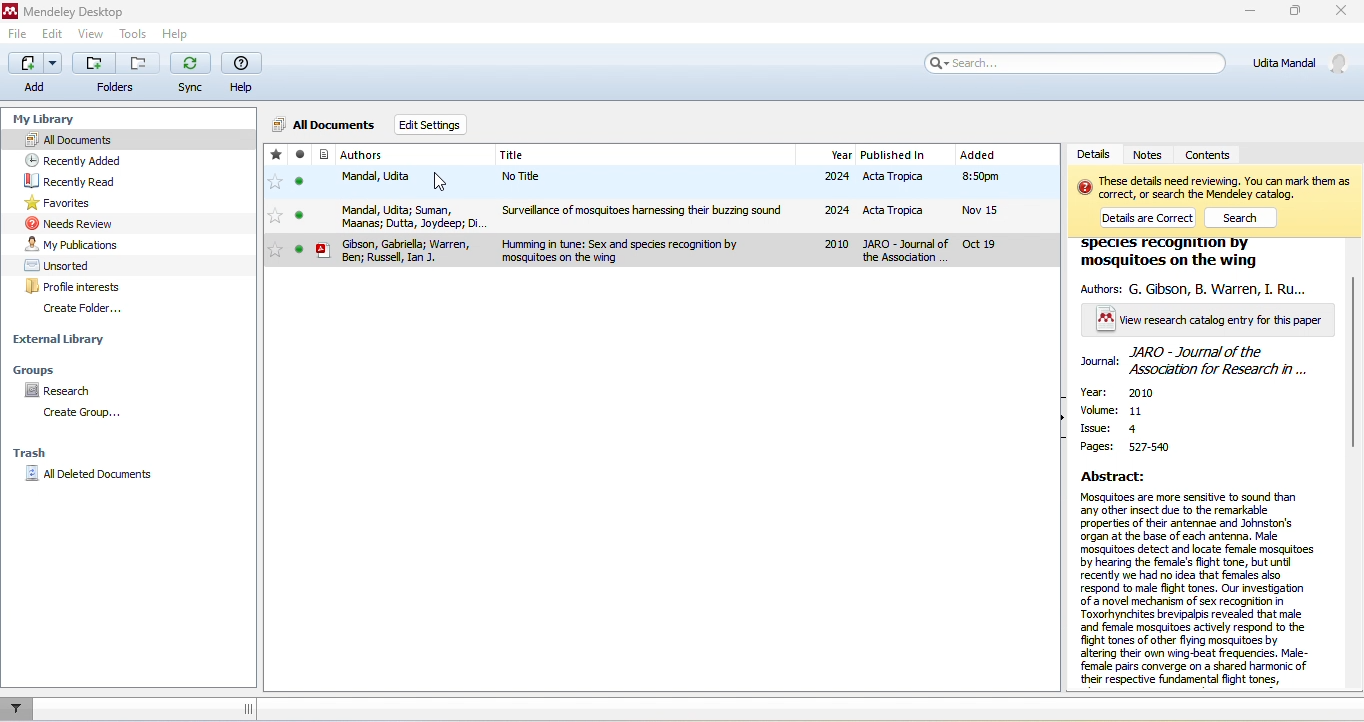 This screenshot has width=1364, height=722. What do you see at coordinates (179, 35) in the screenshot?
I see `help` at bounding box center [179, 35].